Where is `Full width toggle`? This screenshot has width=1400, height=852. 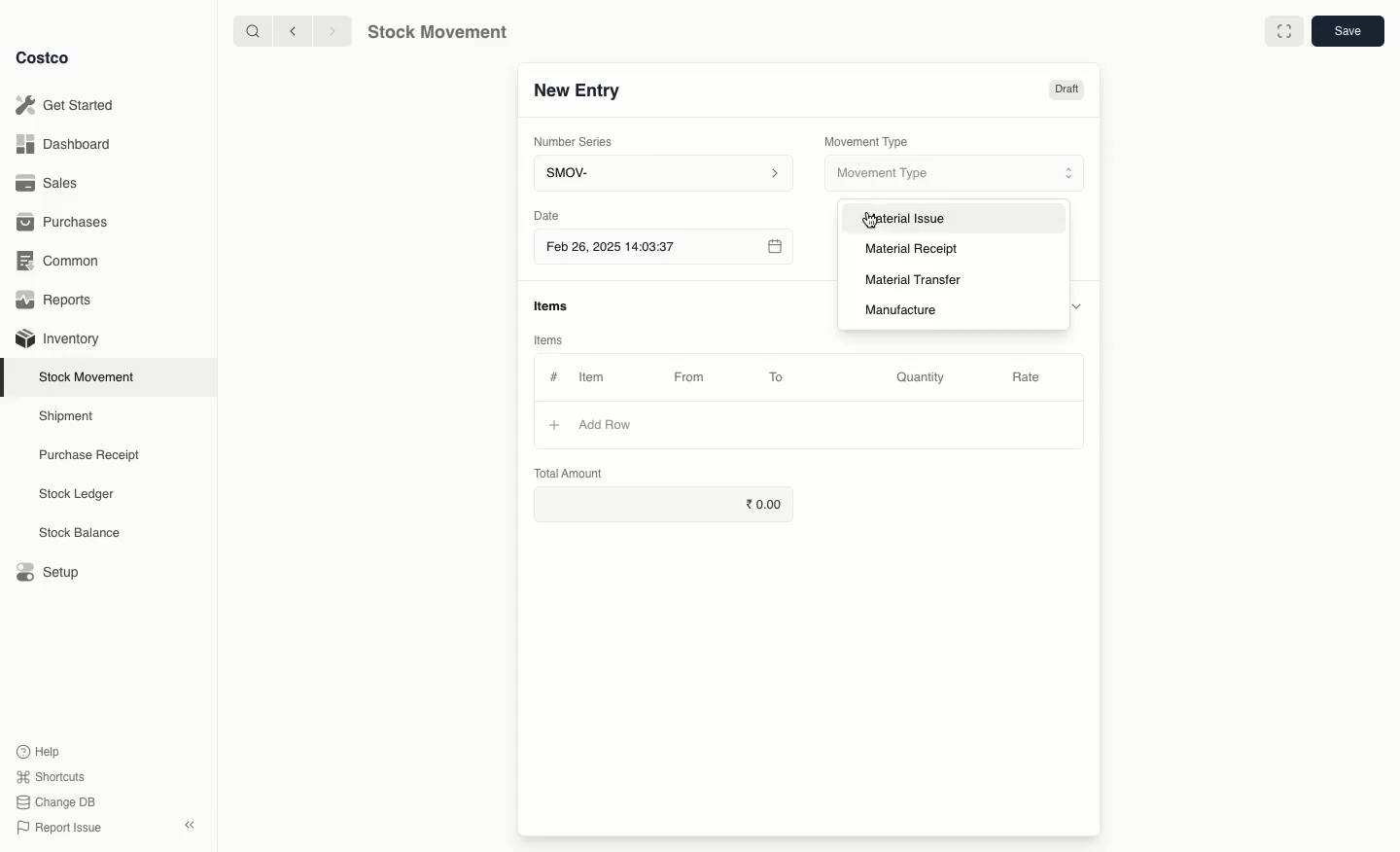 Full width toggle is located at coordinates (1285, 31).